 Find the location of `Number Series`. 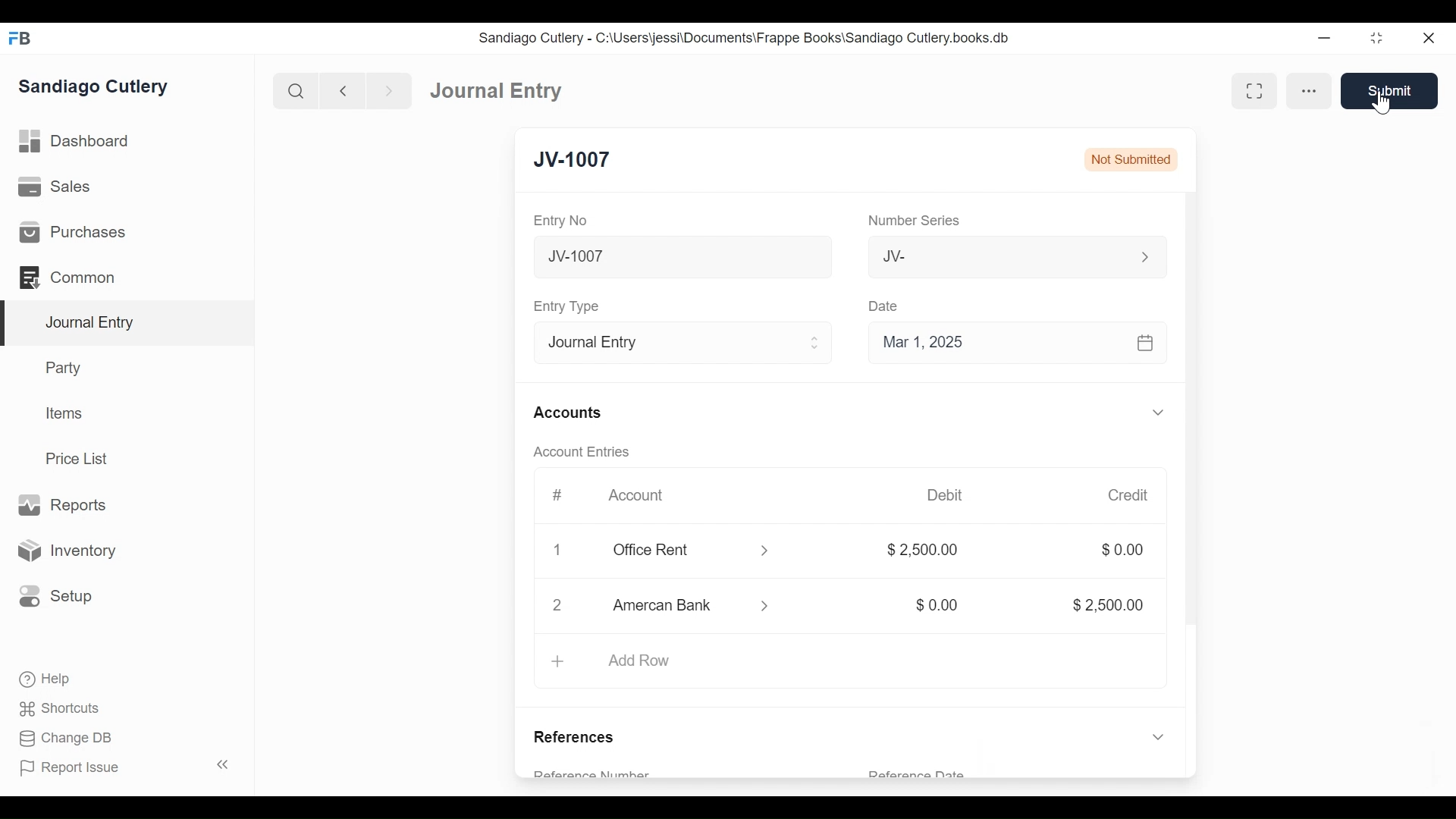

Number Series is located at coordinates (912, 221).